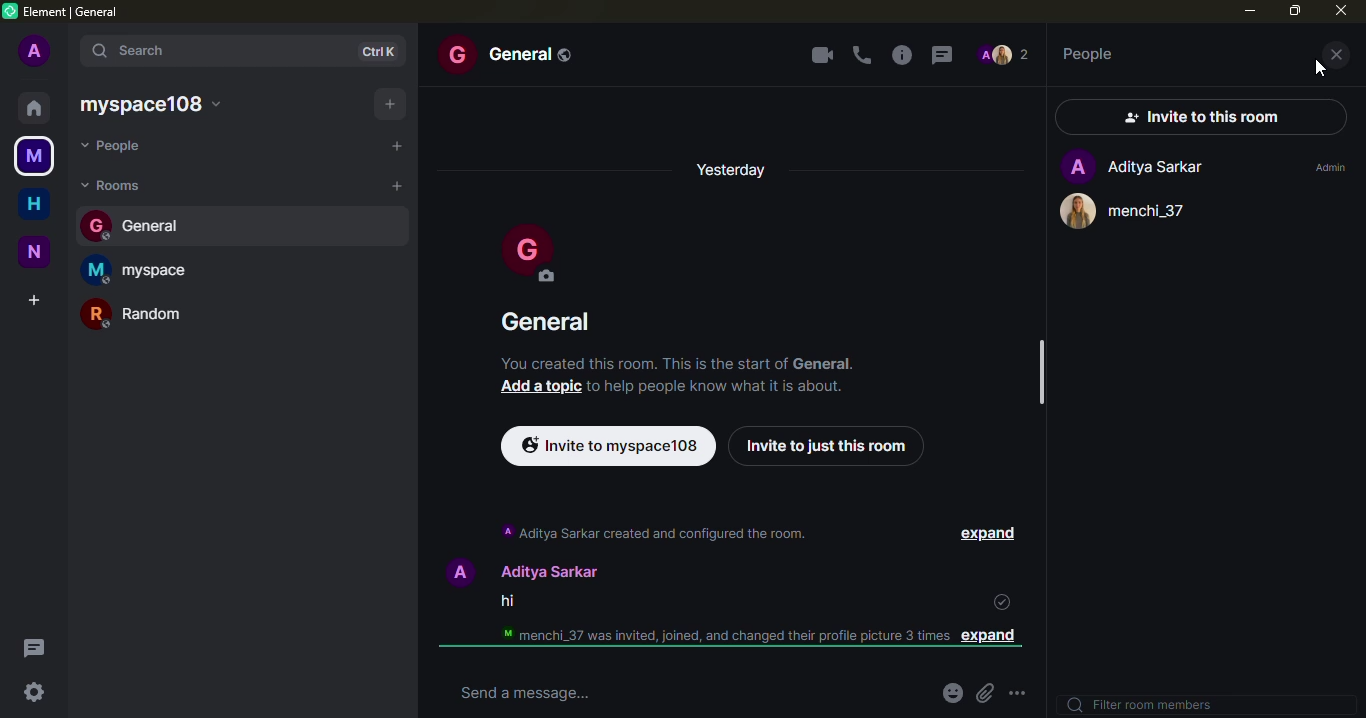 The height and width of the screenshot is (718, 1366). I want to click on general, so click(515, 53).